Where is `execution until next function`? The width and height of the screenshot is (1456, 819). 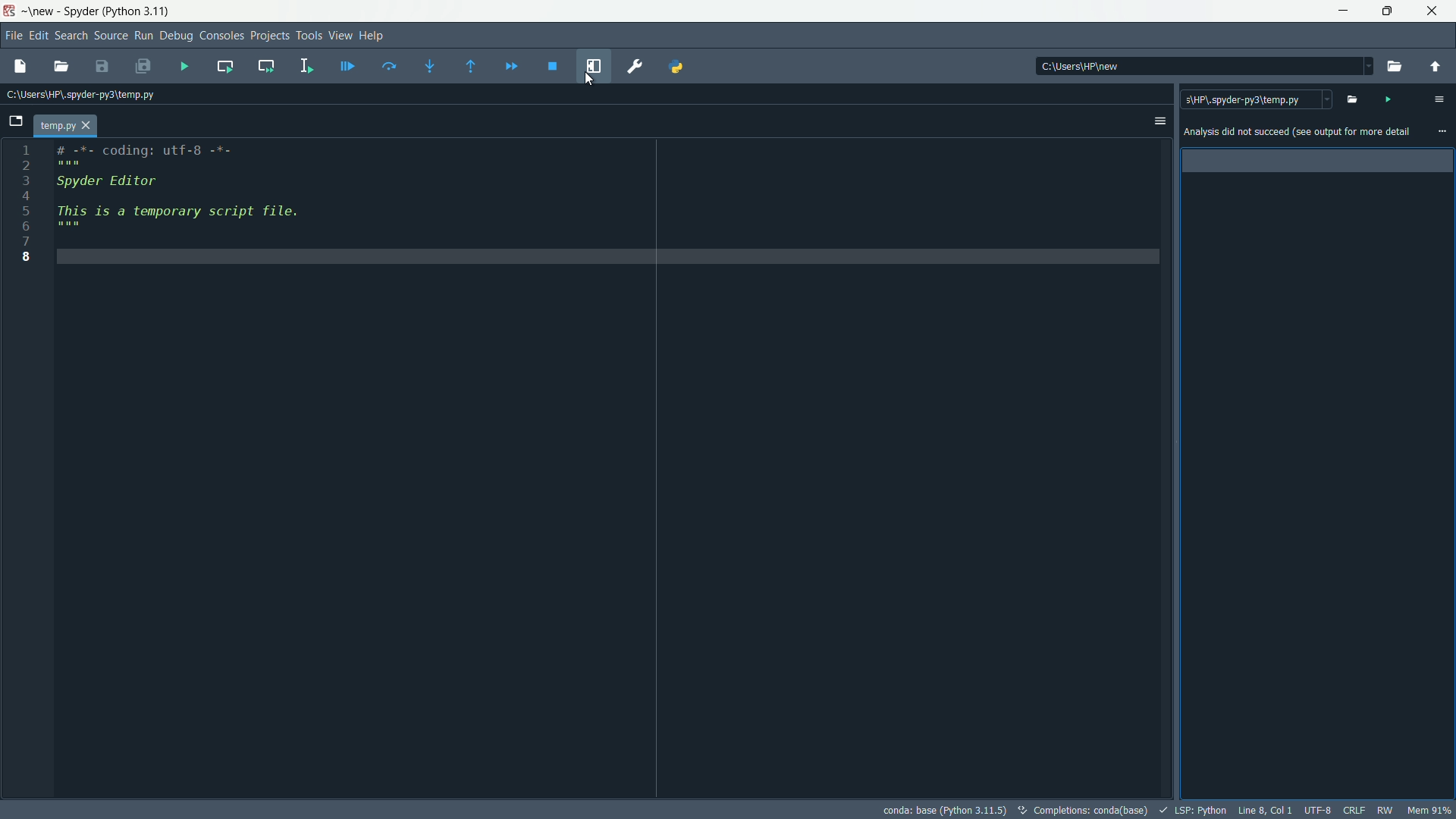 execution until next function is located at coordinates (470, 67).